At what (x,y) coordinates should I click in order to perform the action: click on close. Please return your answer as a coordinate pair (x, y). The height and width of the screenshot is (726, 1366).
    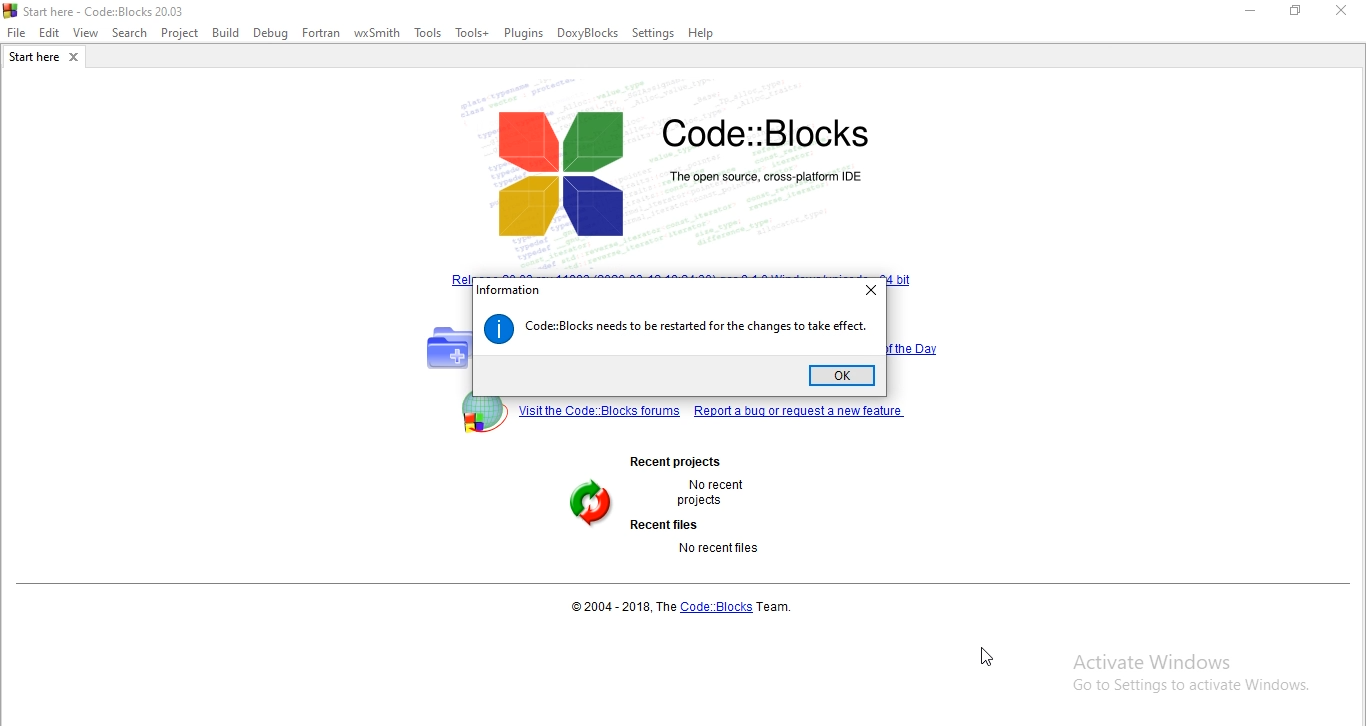
    Looking at the image, I should click on (869, 290).